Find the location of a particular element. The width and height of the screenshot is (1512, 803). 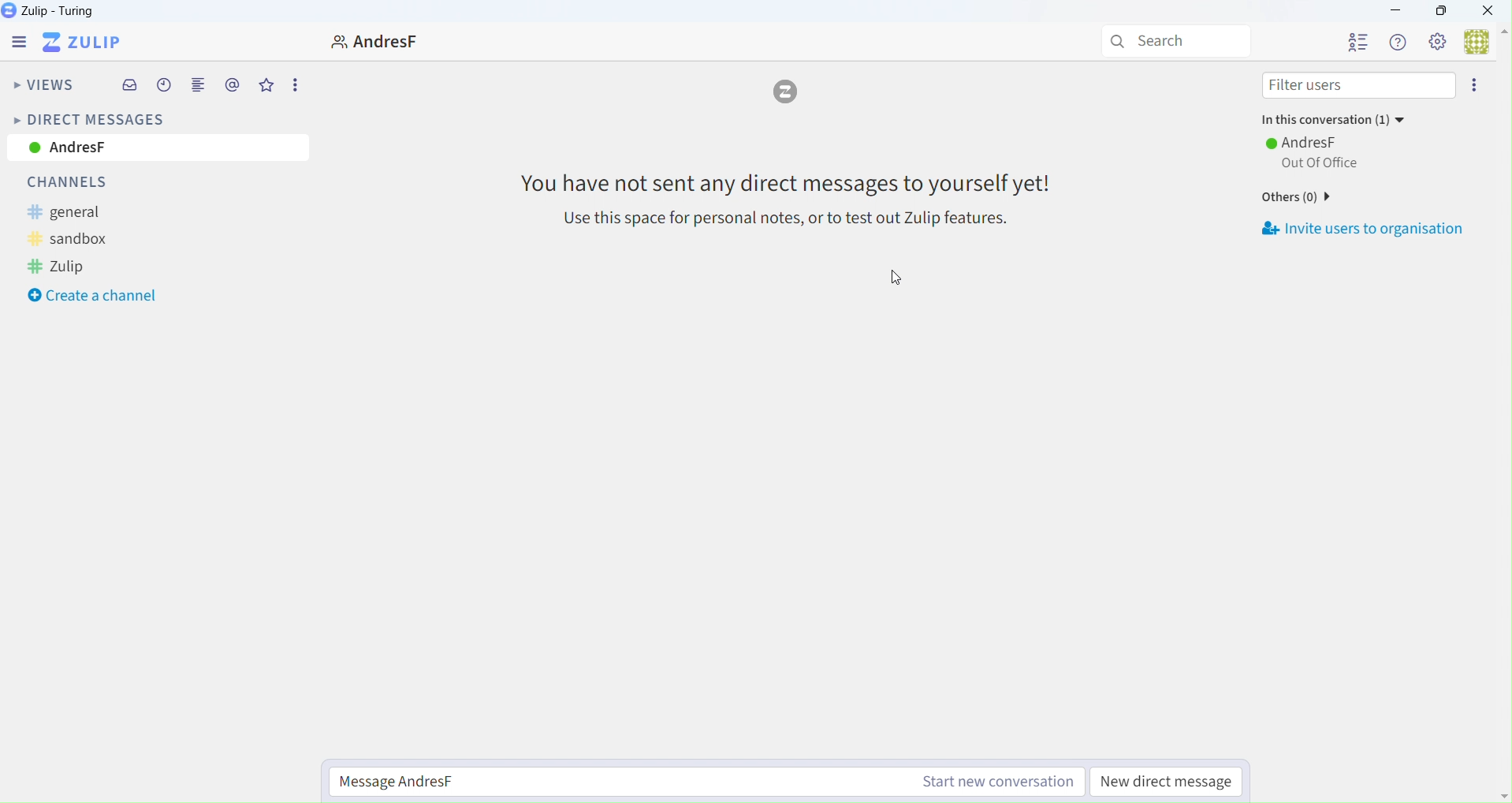

Zulip is located at coordinates (87, 43).